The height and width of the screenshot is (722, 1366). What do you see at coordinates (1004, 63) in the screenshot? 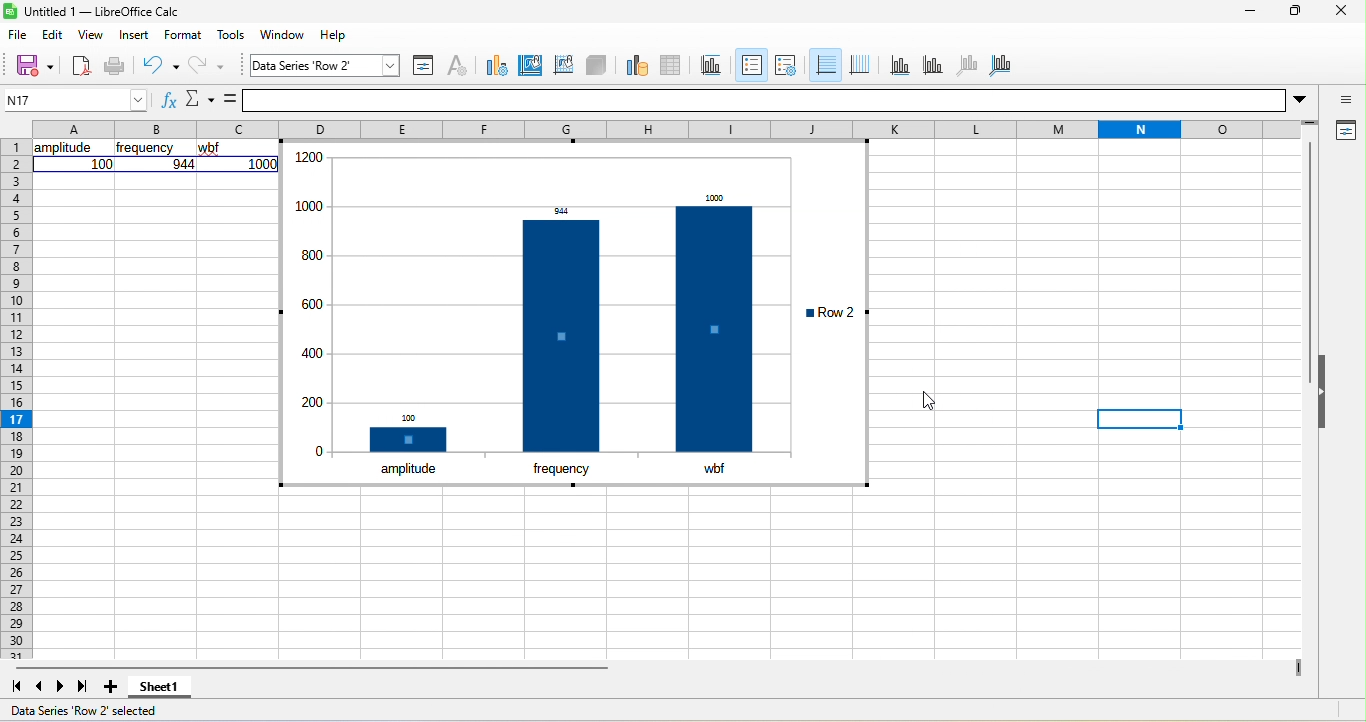
I see `all axes` at bounding box center [1004, 63].